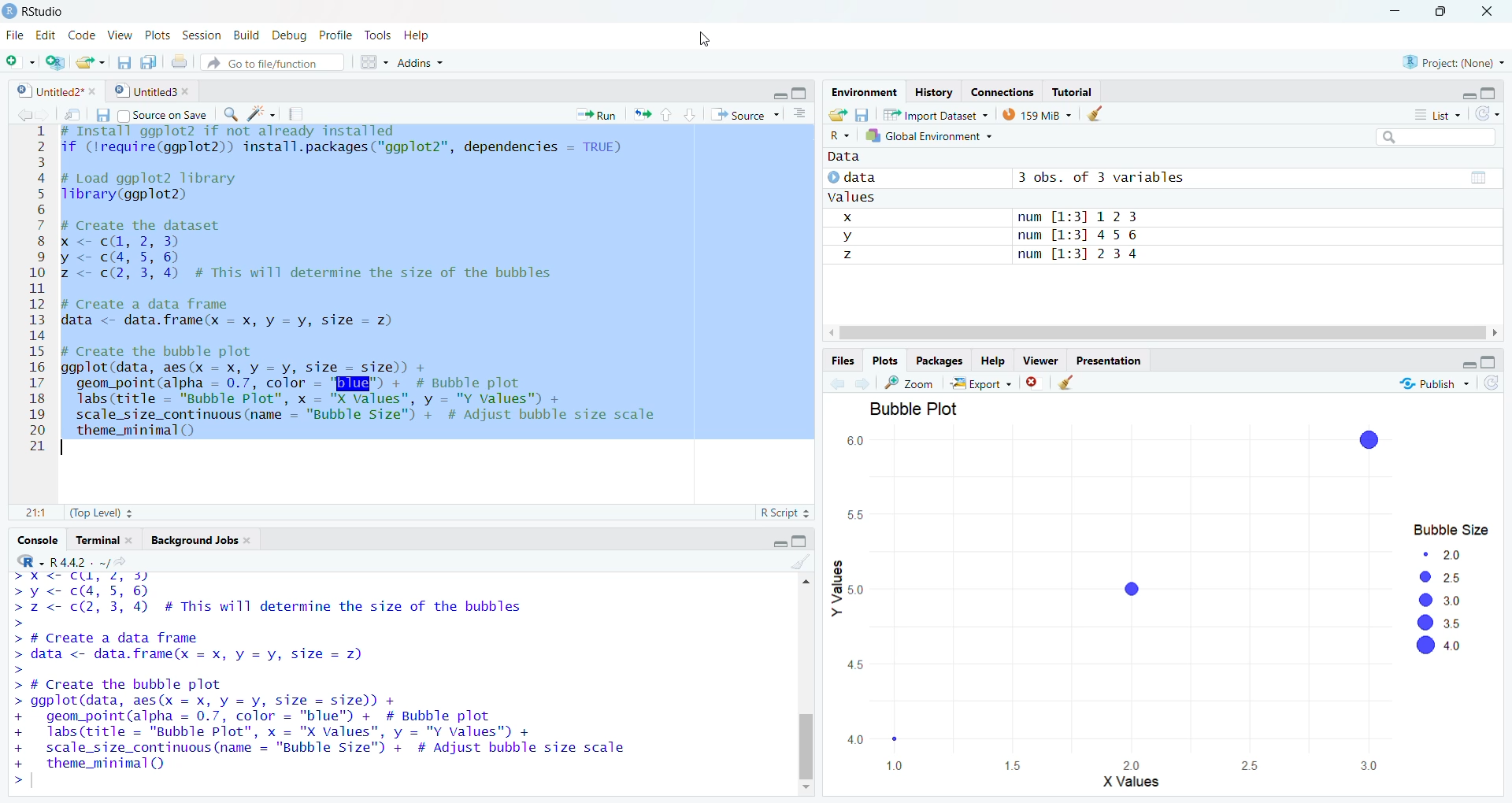  What do you see at coordinates (800, 683) in the screenshot?
I see `scrollbar` at bounding box center [800, 683].